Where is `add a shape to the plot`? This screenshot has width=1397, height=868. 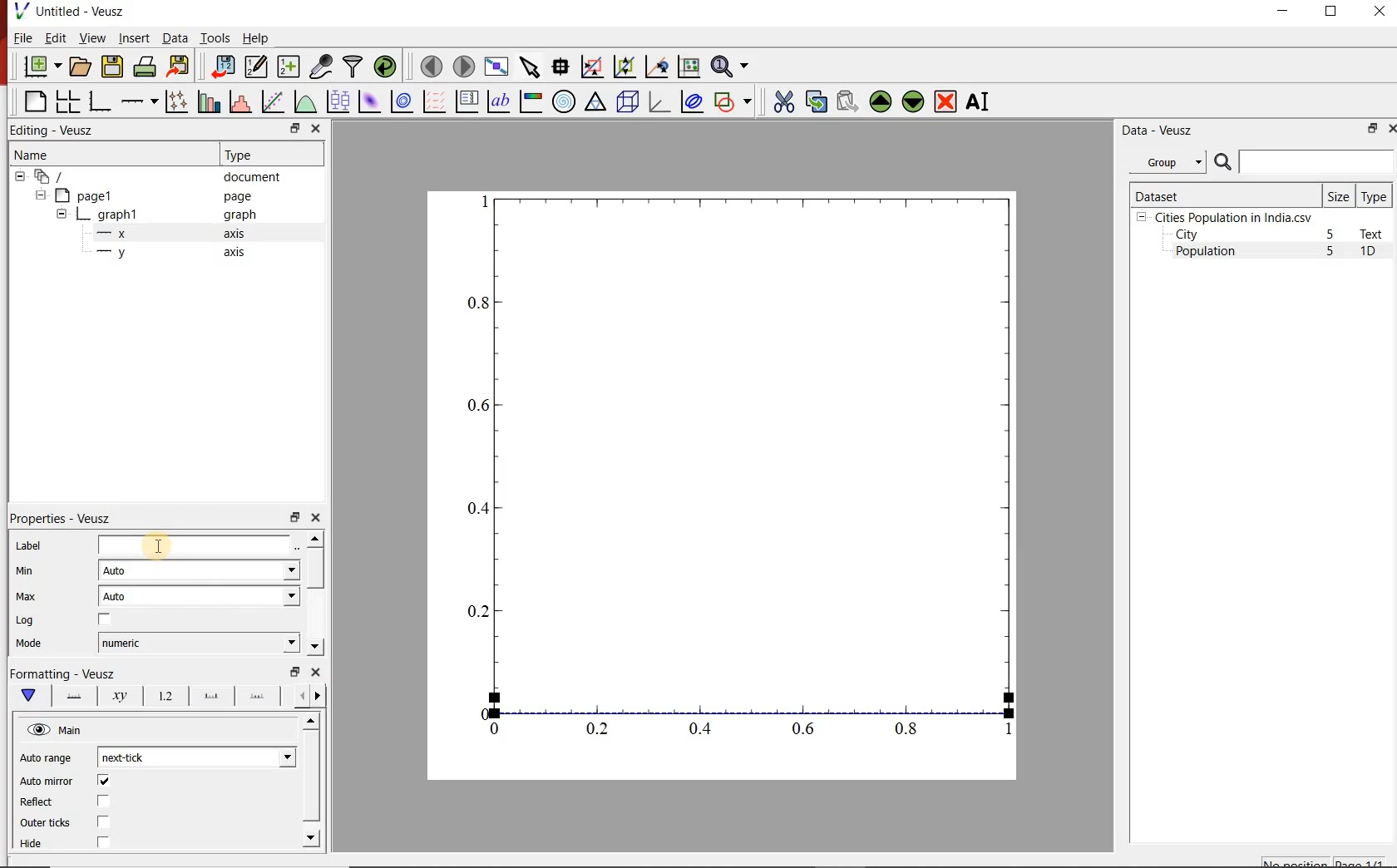 add a shape to the plot is located at coordinates (733, 101).